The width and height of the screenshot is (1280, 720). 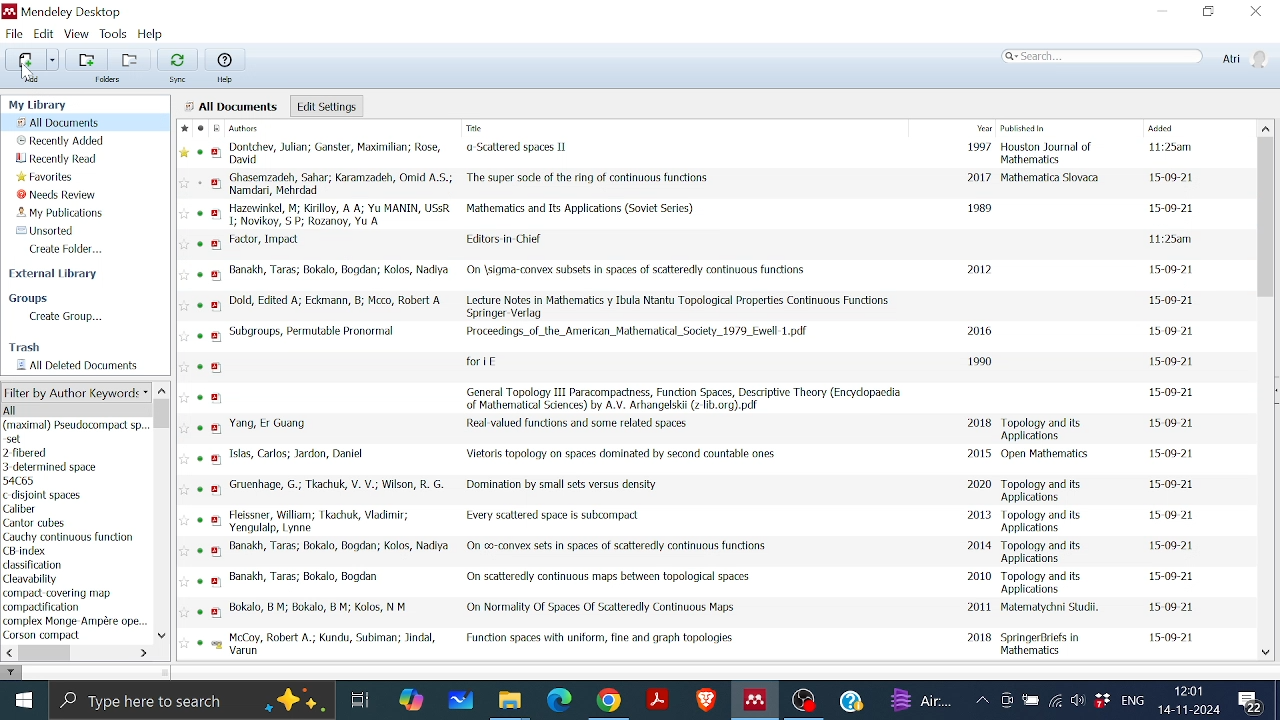 What do you see at coordinates (205, 367) in the screenshot?
I see `read status` at bounding box center [205, 367].